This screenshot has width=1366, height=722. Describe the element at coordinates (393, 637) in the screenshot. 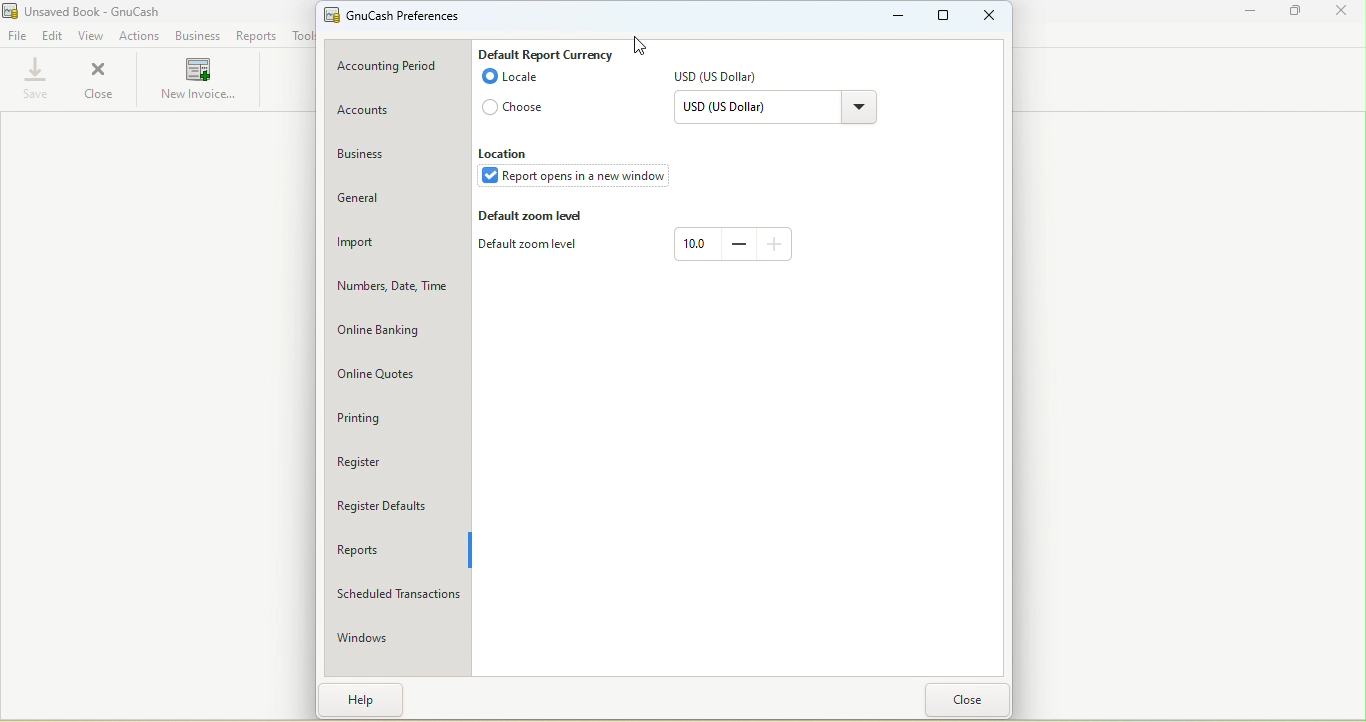

I see `Windows` at that location.